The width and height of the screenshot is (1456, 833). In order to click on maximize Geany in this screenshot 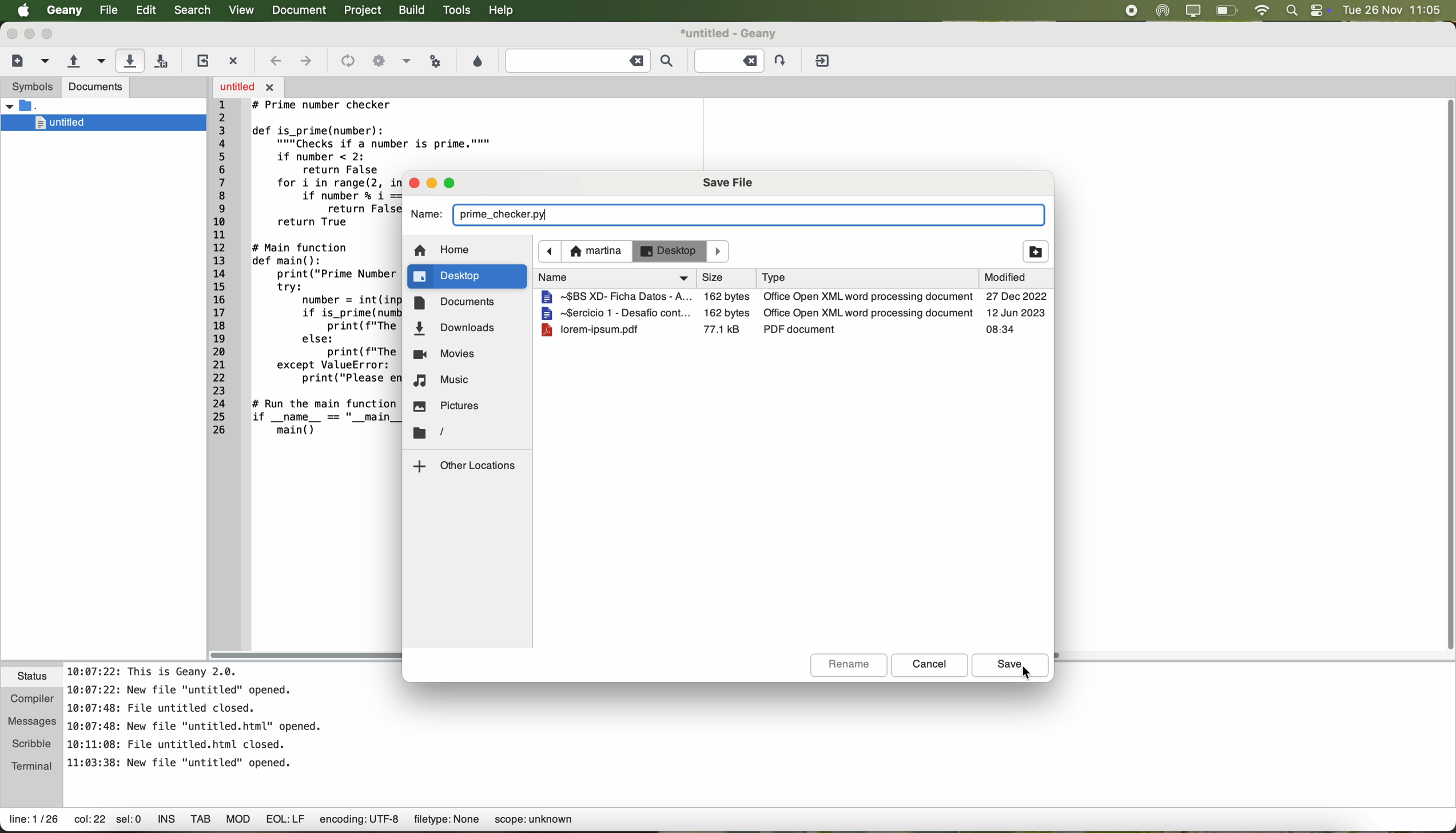, I will do `click(51, 34)`.